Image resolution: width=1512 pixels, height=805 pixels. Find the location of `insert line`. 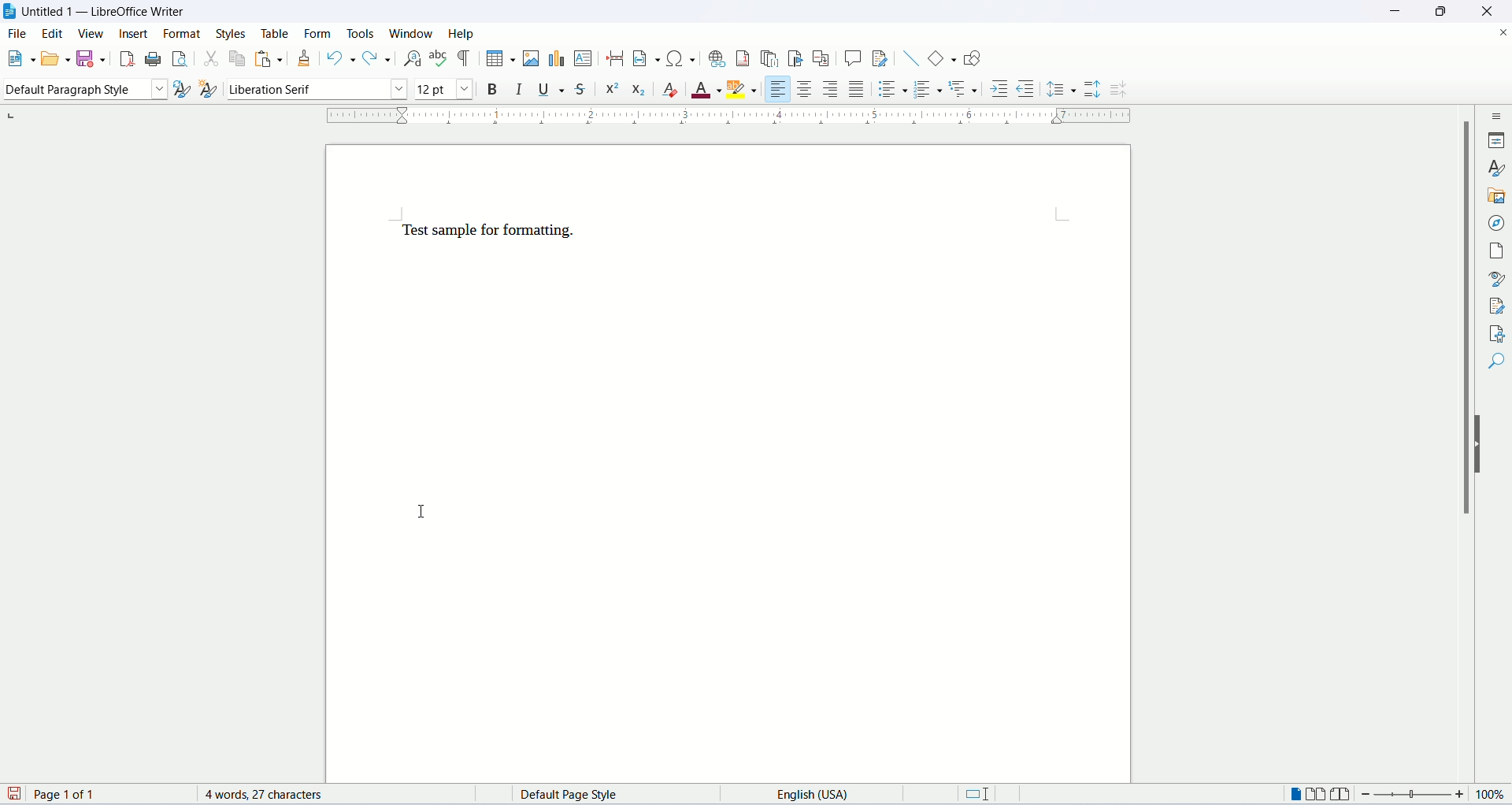

insert line is located at coordinates (909, 57).